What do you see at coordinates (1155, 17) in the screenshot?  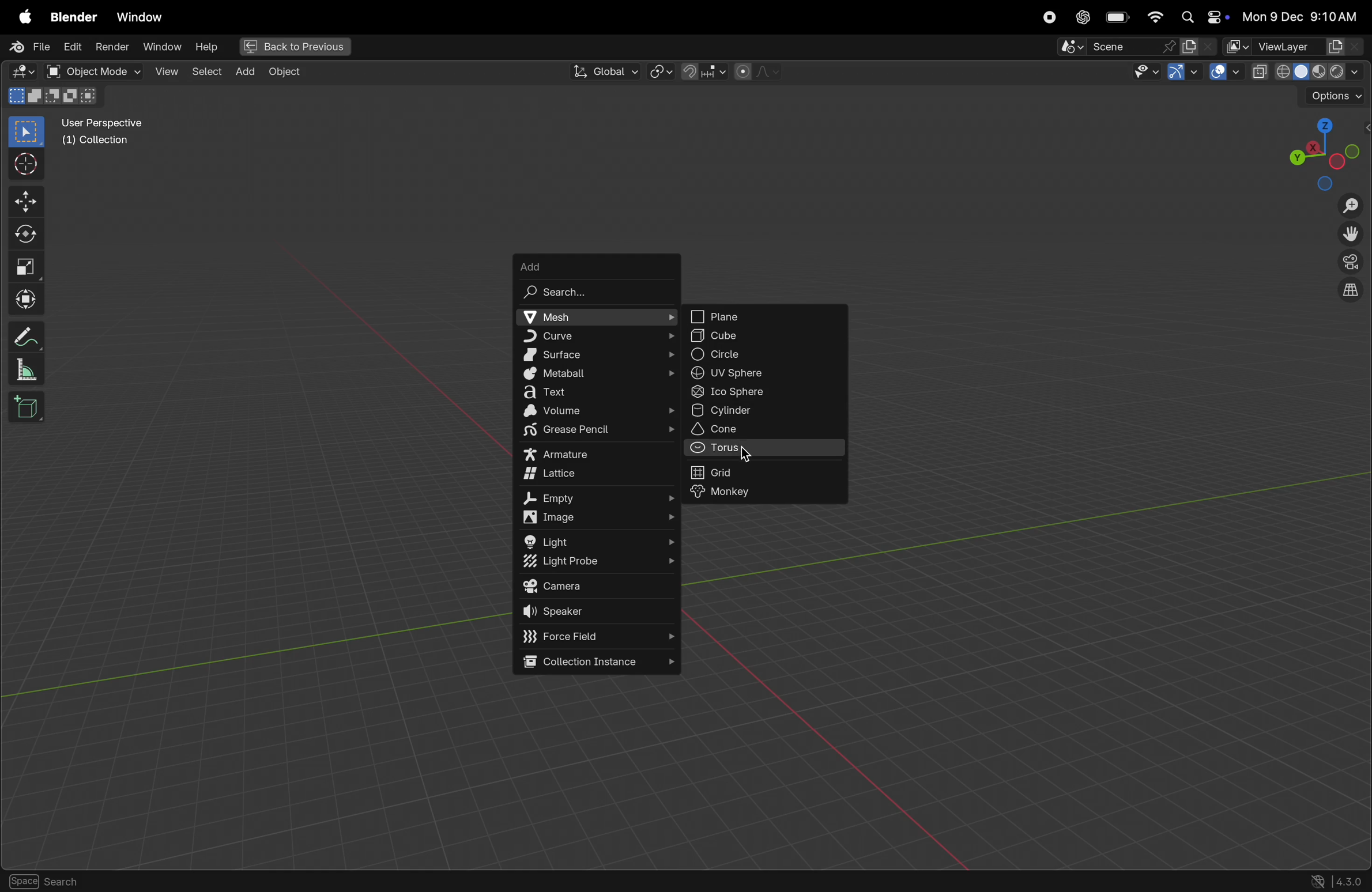 I see `wifi` at bounding box center [1155, 17].